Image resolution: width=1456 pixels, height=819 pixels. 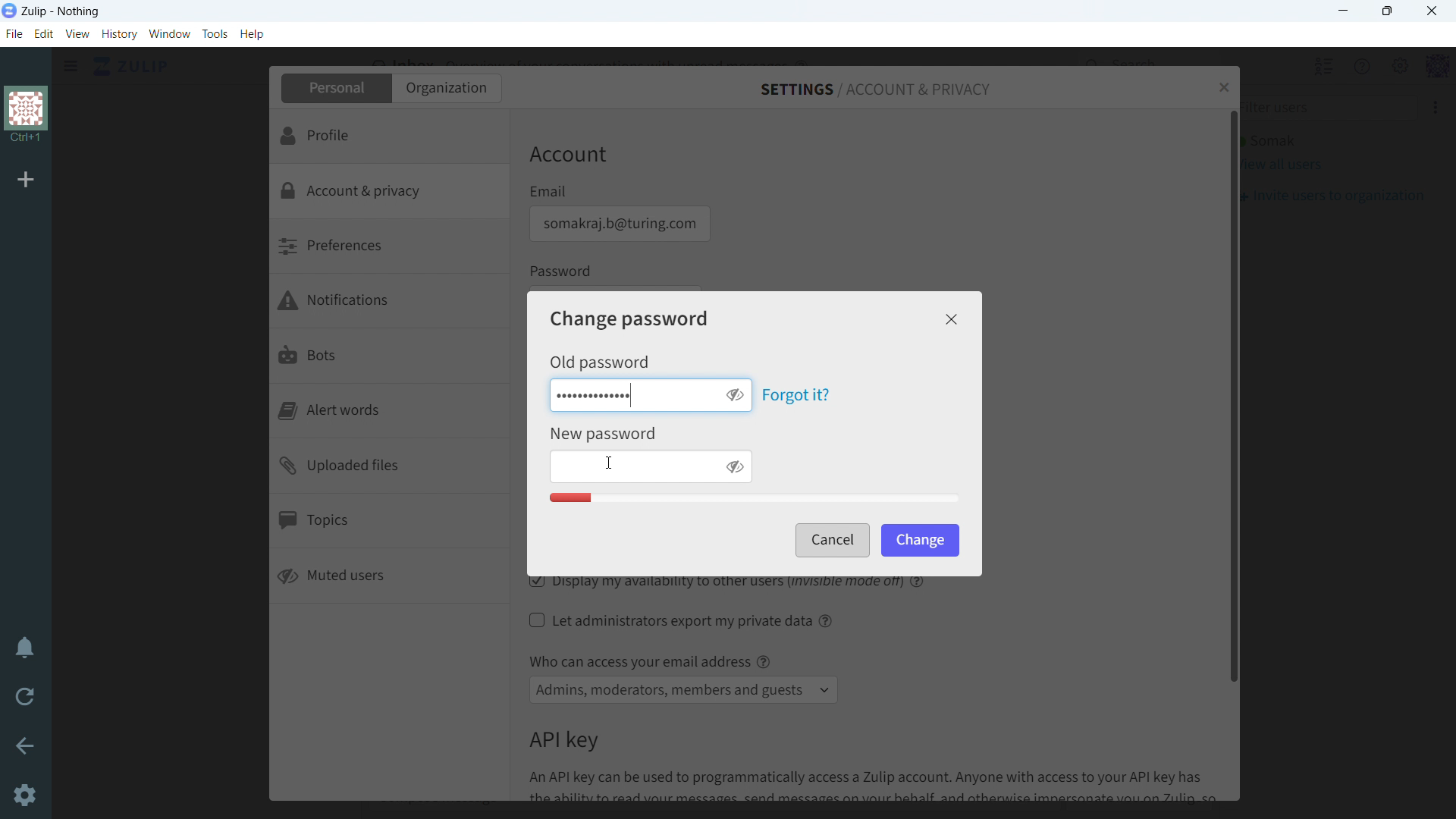 I want to click on history, so click(x=120, y=34).